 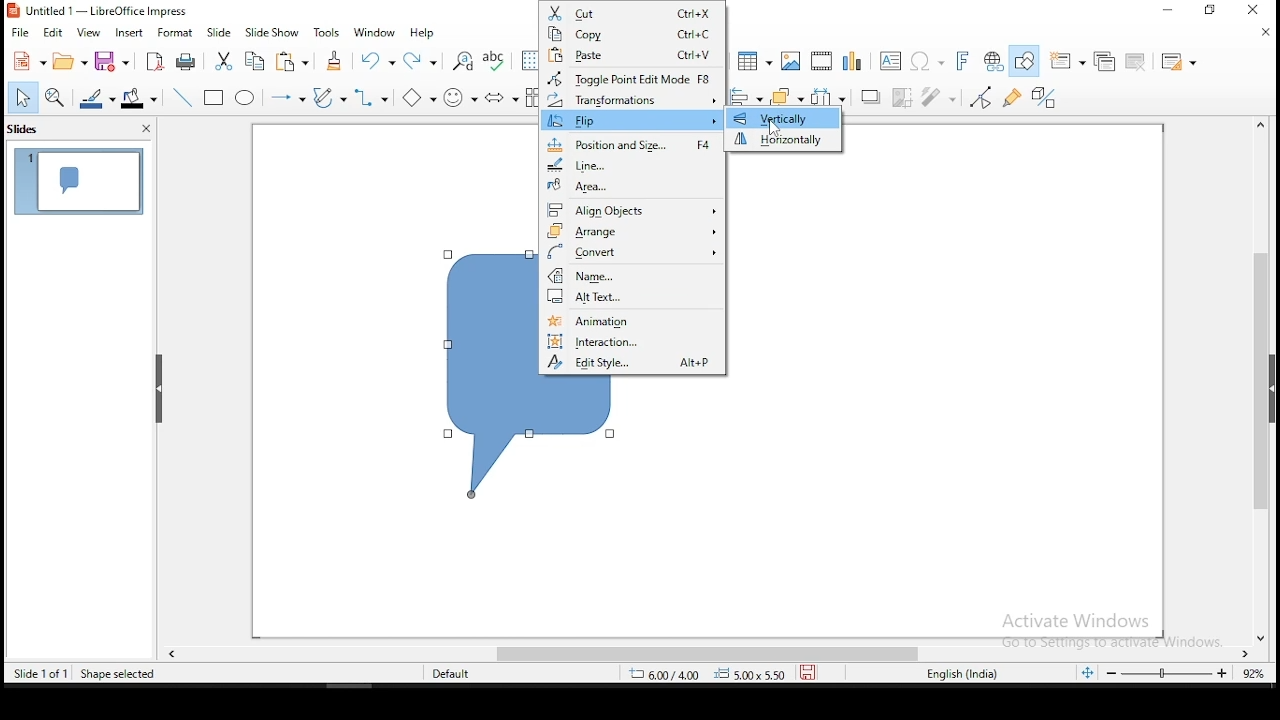 What do you see at coordinates (829, 96) in the screenshot?
I see `distribute` at bounding box center [829, 96].